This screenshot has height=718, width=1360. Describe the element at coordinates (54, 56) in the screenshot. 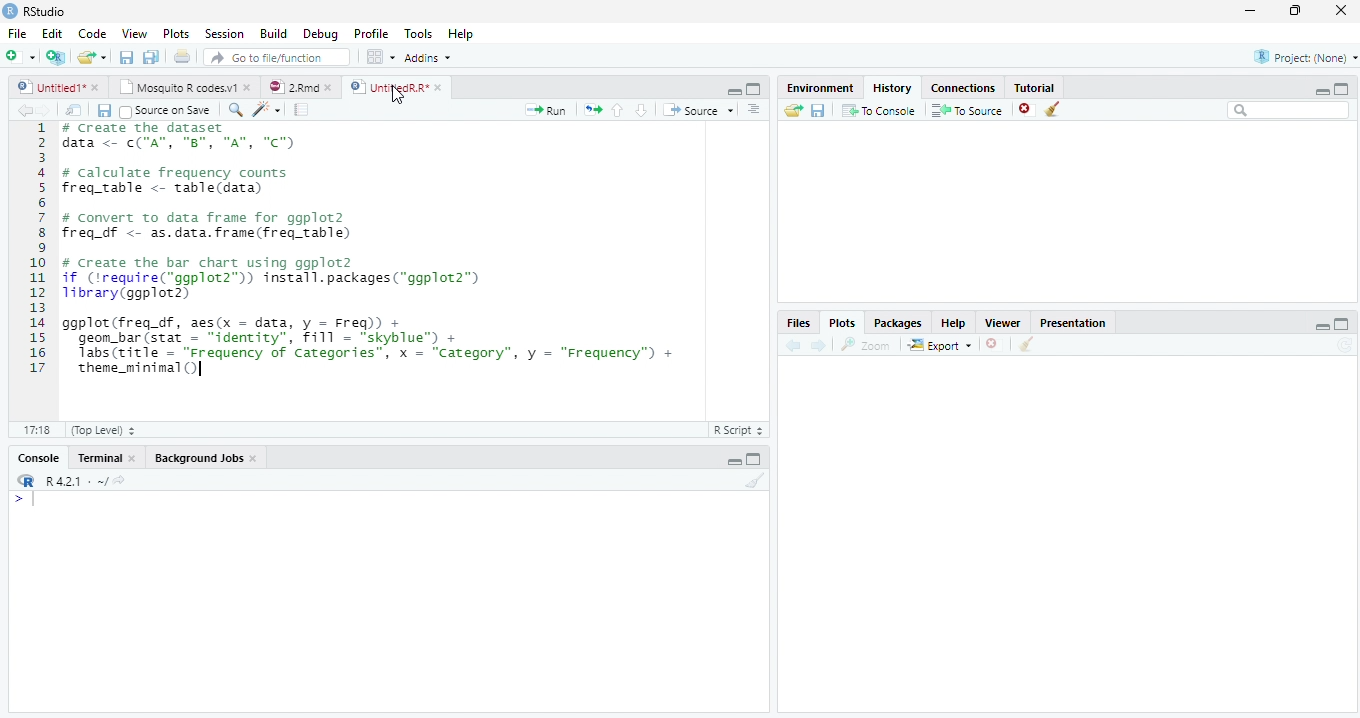

I see `Create a project` at that location.